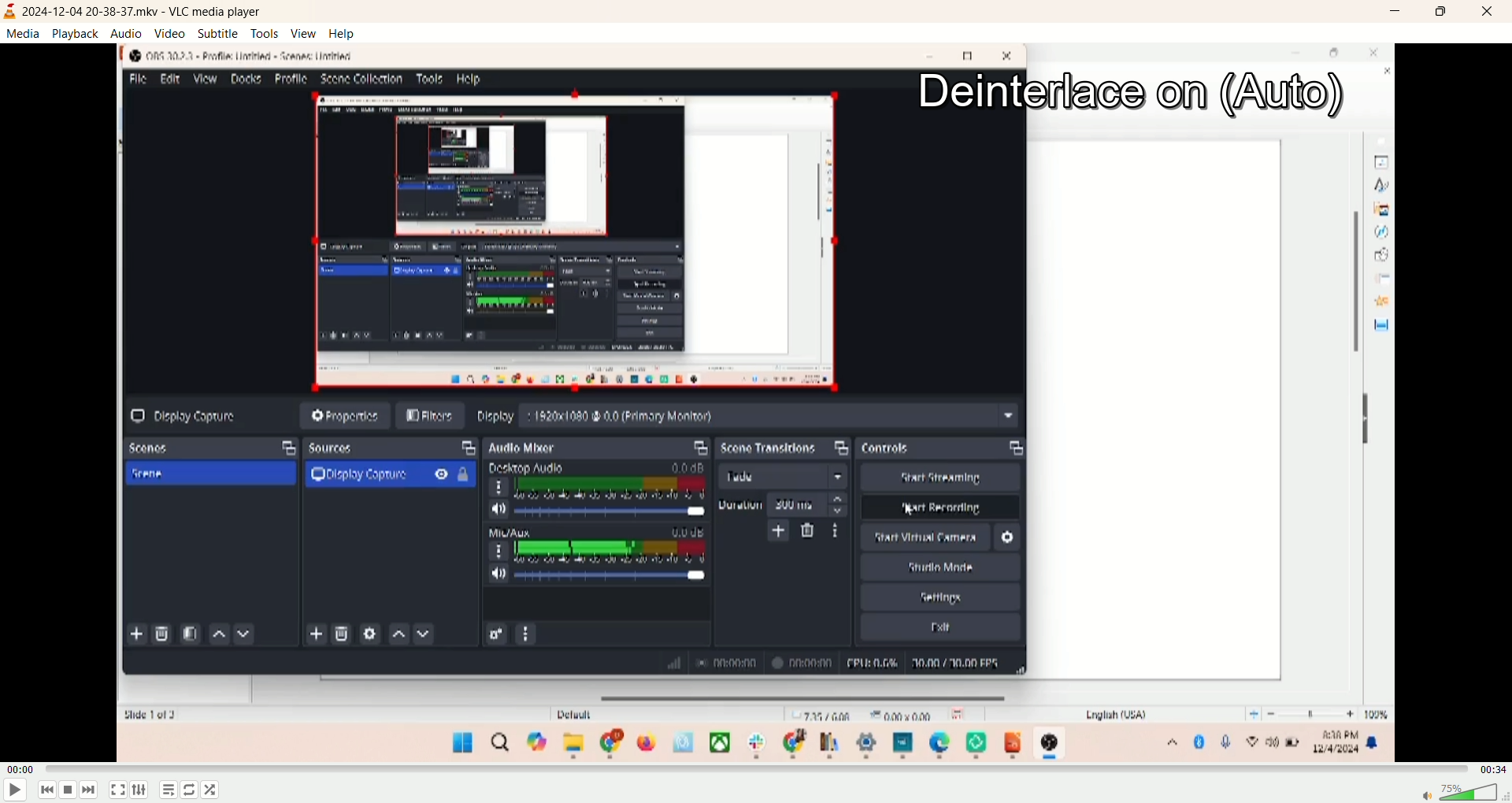 This screenshot has height=803, width=1512. Describe the element at coordinates (1392, 15) in the screenshot. I see `minimize` at that location.